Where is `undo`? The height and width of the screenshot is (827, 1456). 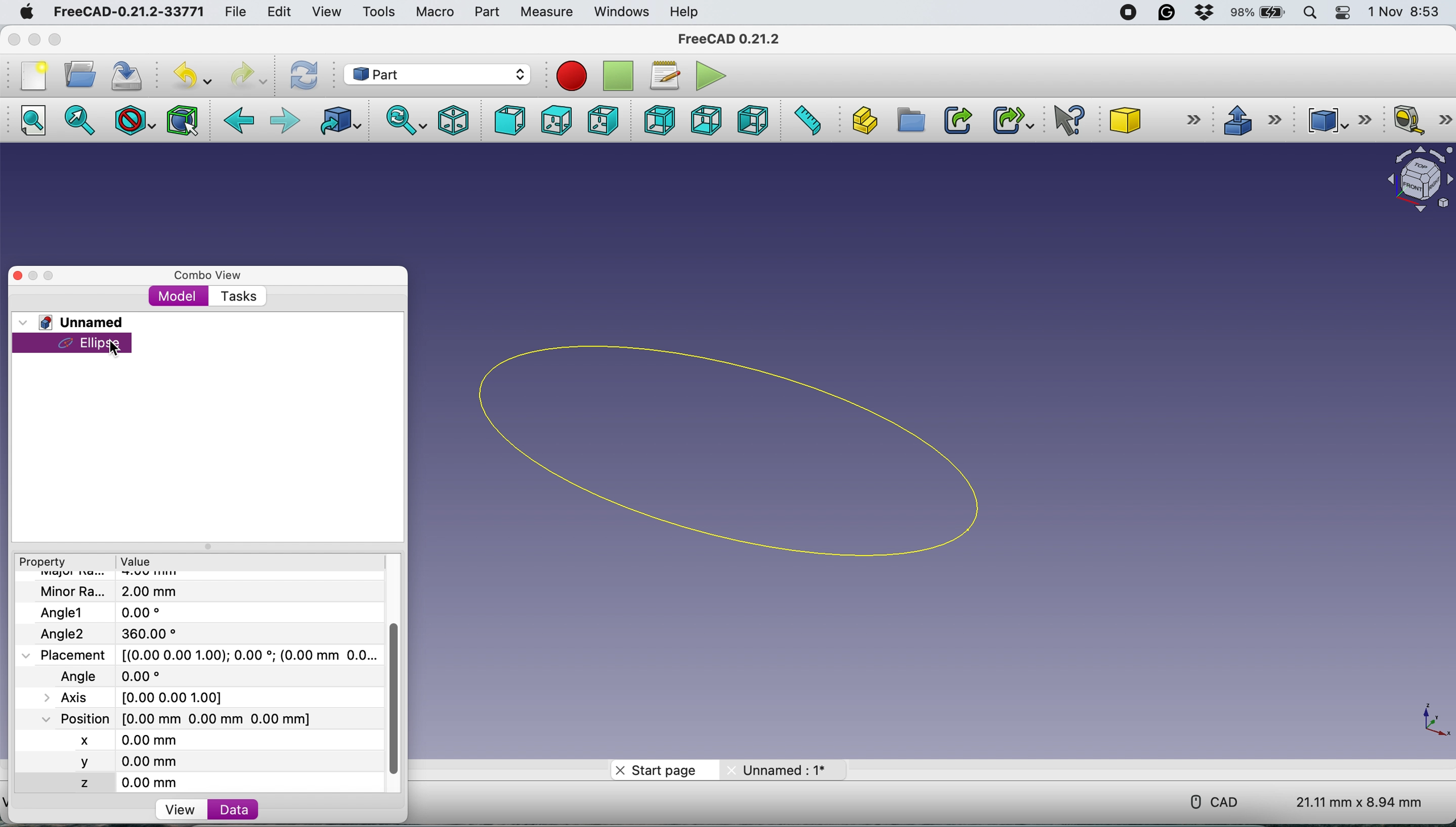 undo is located at coordinates (192, 73).